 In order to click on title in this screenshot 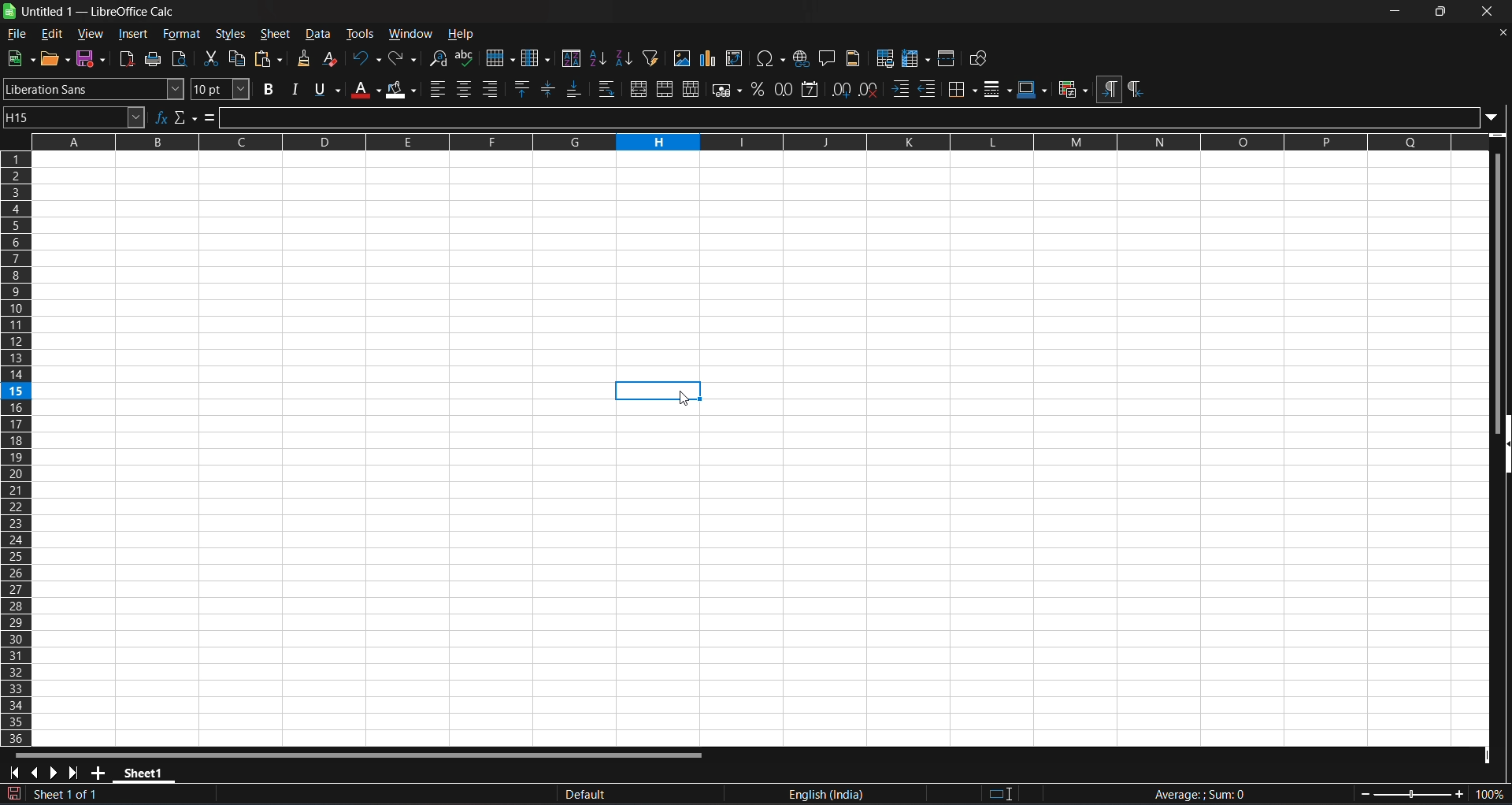, I will do `click(98, 12)`.